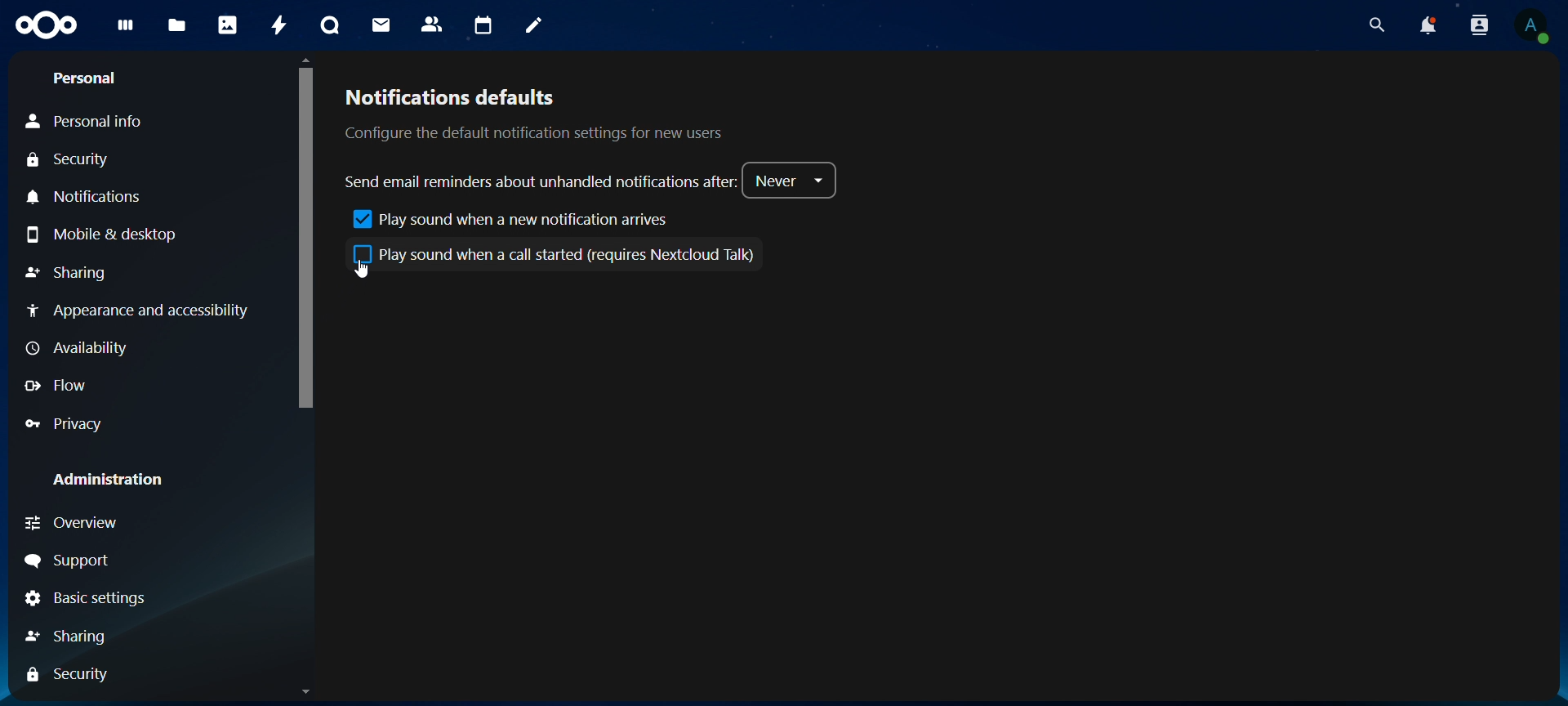  What do you see at coordinates (382, 24) in the screenshot?
I see `mail` at bounding box center [382, 24].